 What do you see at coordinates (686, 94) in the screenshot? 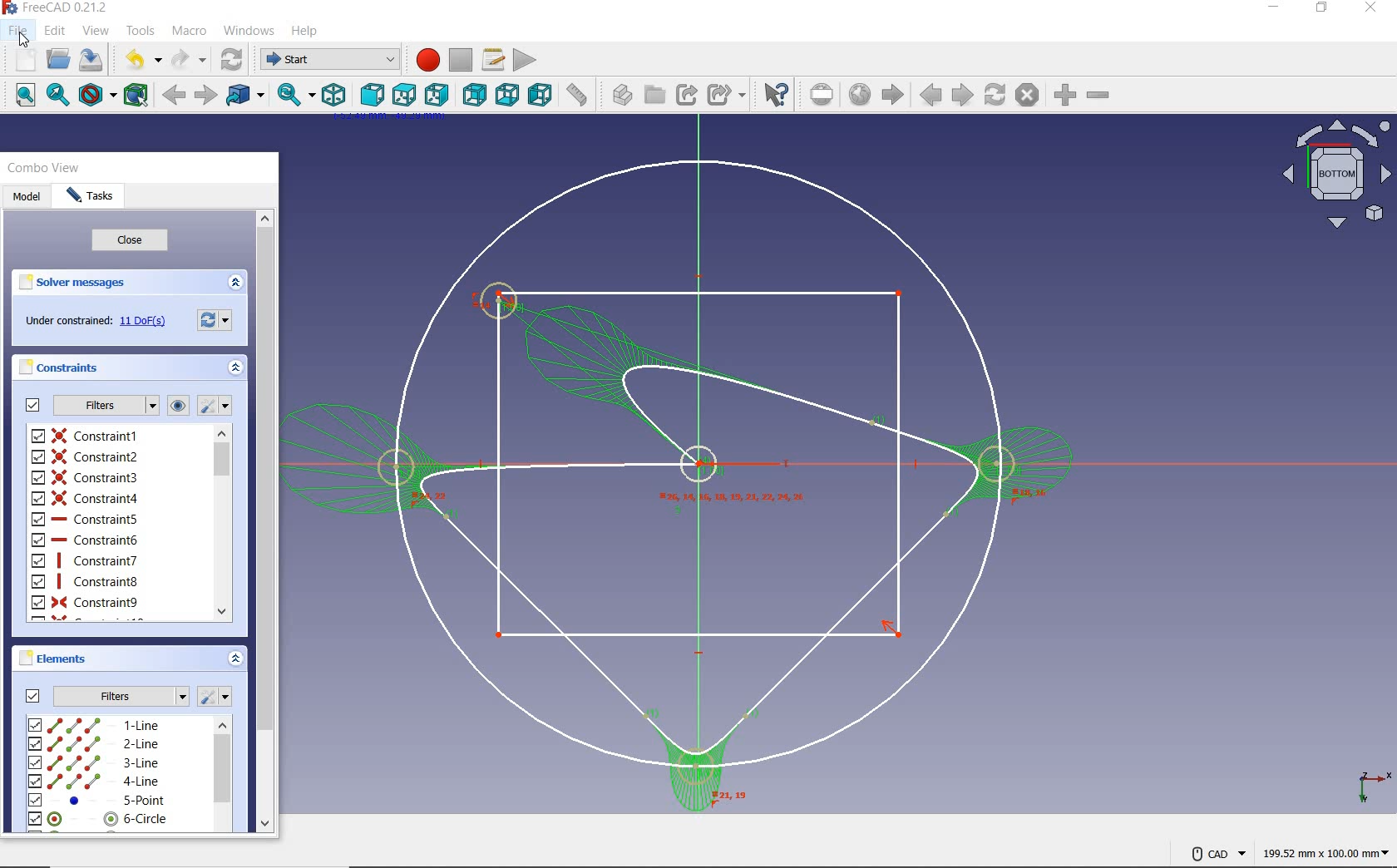
I see `make link` at bounding box center [686, 94].